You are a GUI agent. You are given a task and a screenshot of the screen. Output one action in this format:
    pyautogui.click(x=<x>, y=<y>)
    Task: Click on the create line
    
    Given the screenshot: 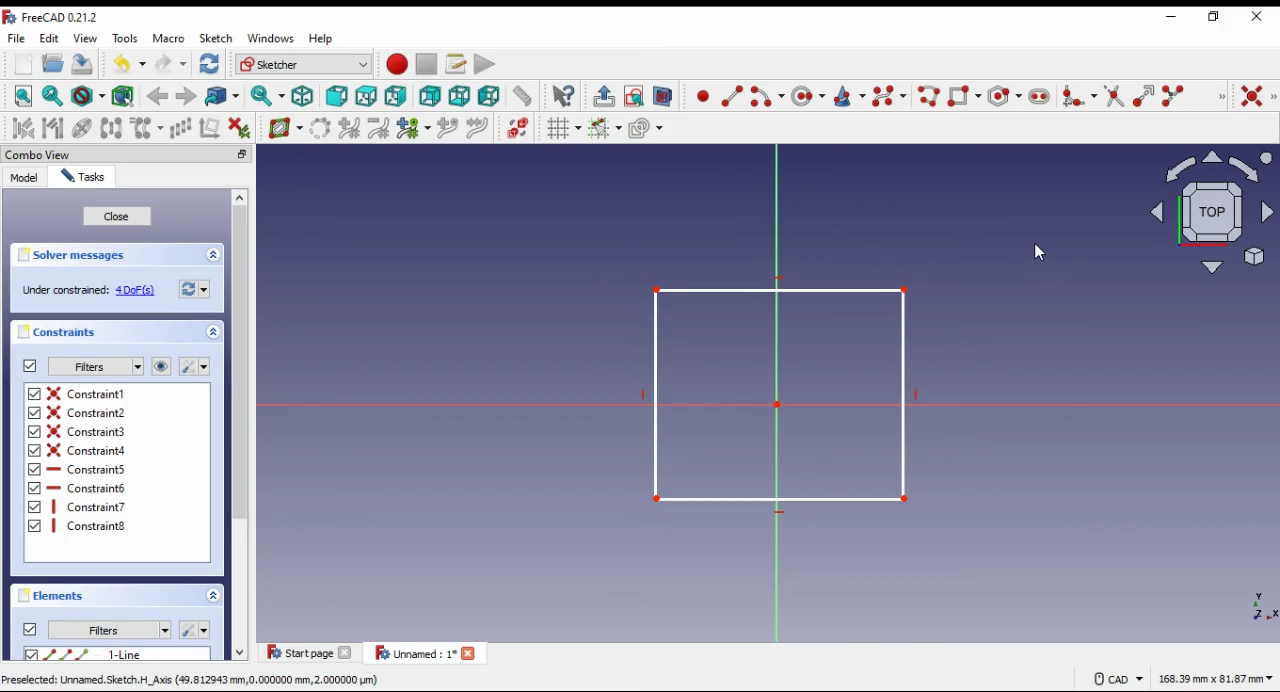 What is the action you would take?
    pyautogui.click(x=732, y=96)
    